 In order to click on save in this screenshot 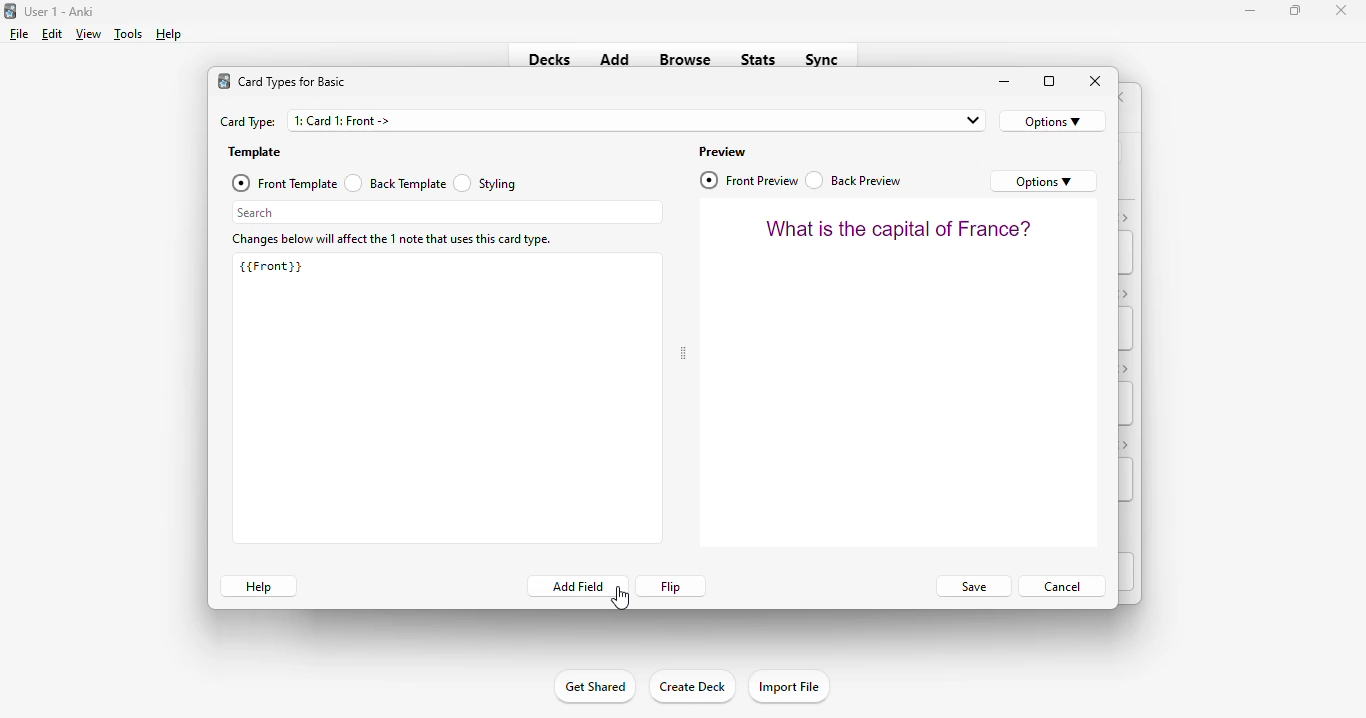, I will do `click(972, 587)`.